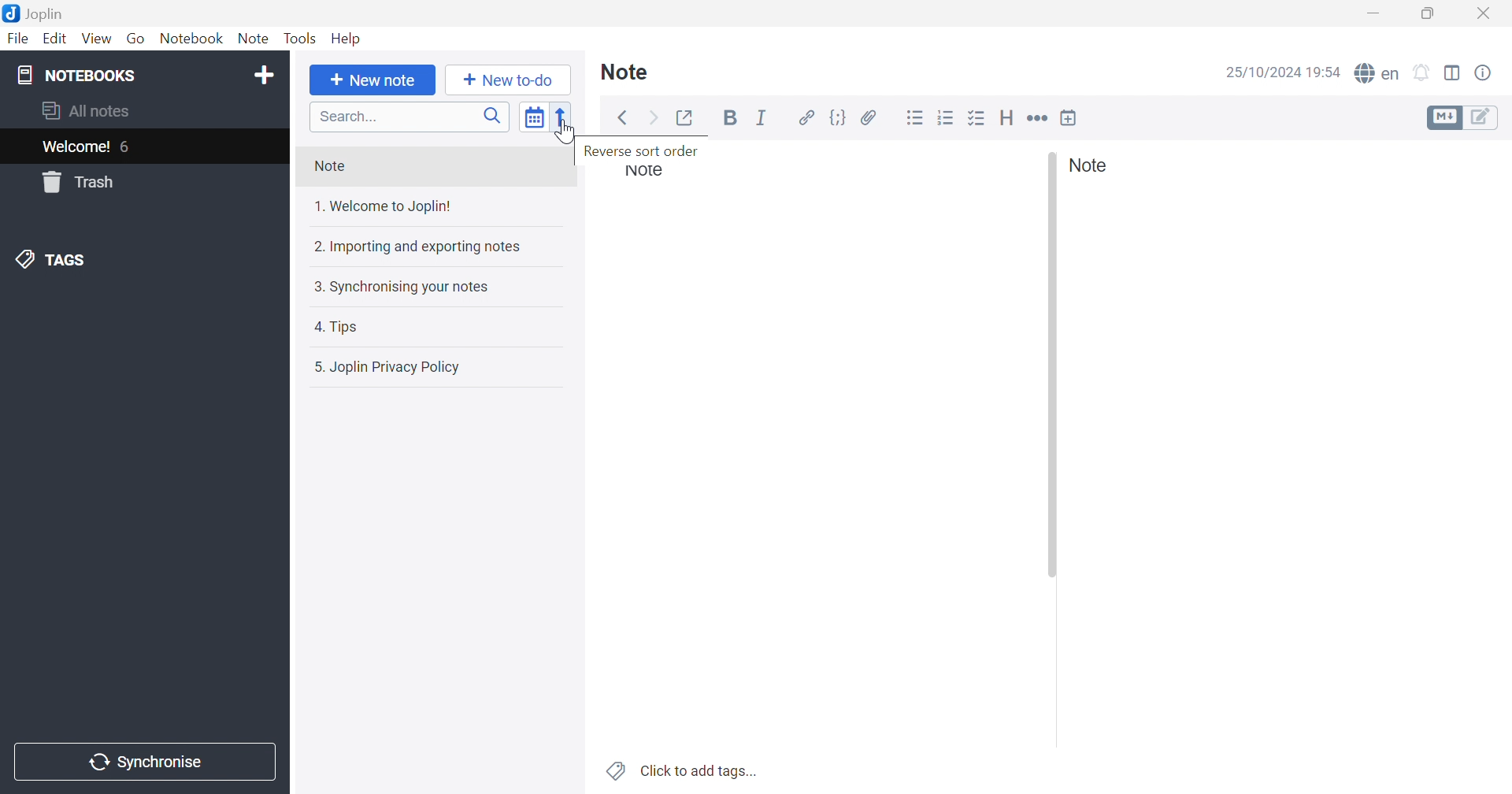  I want to click on Note, so click(645, 171).